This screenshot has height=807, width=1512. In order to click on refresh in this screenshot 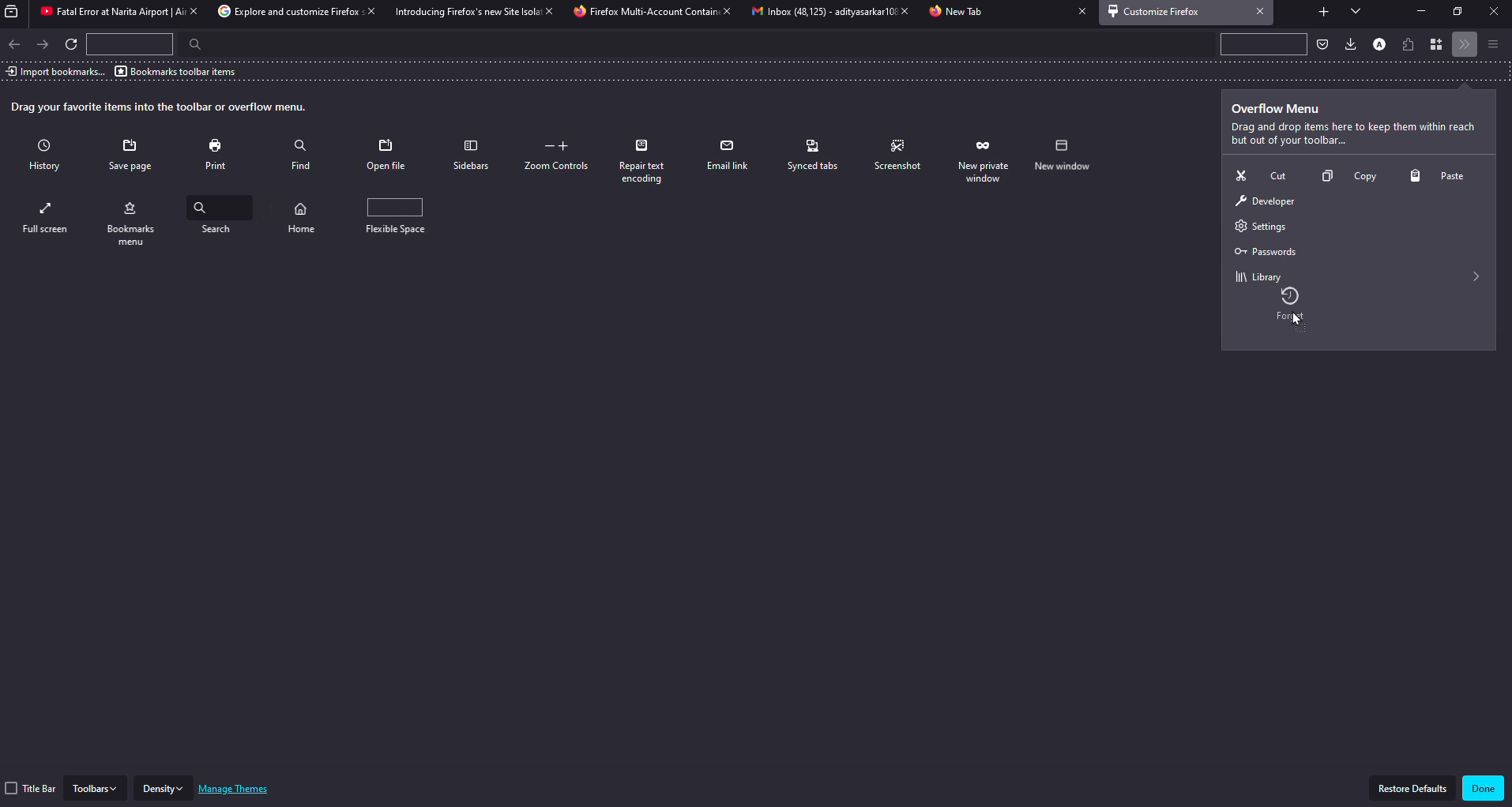, I will do `click(73, 46)`.